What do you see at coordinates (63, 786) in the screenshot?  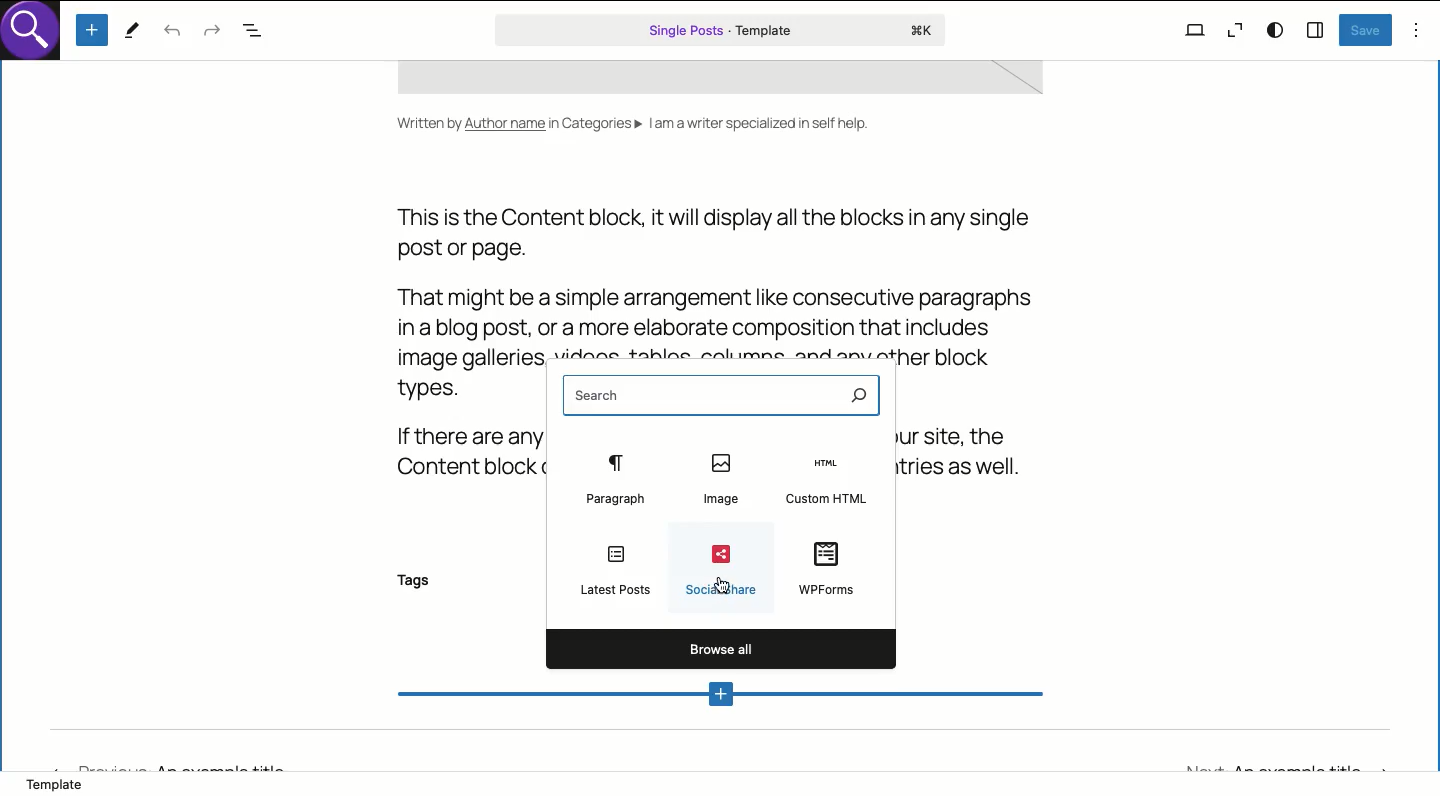 I see `Template` at bounding box center [63, 786].